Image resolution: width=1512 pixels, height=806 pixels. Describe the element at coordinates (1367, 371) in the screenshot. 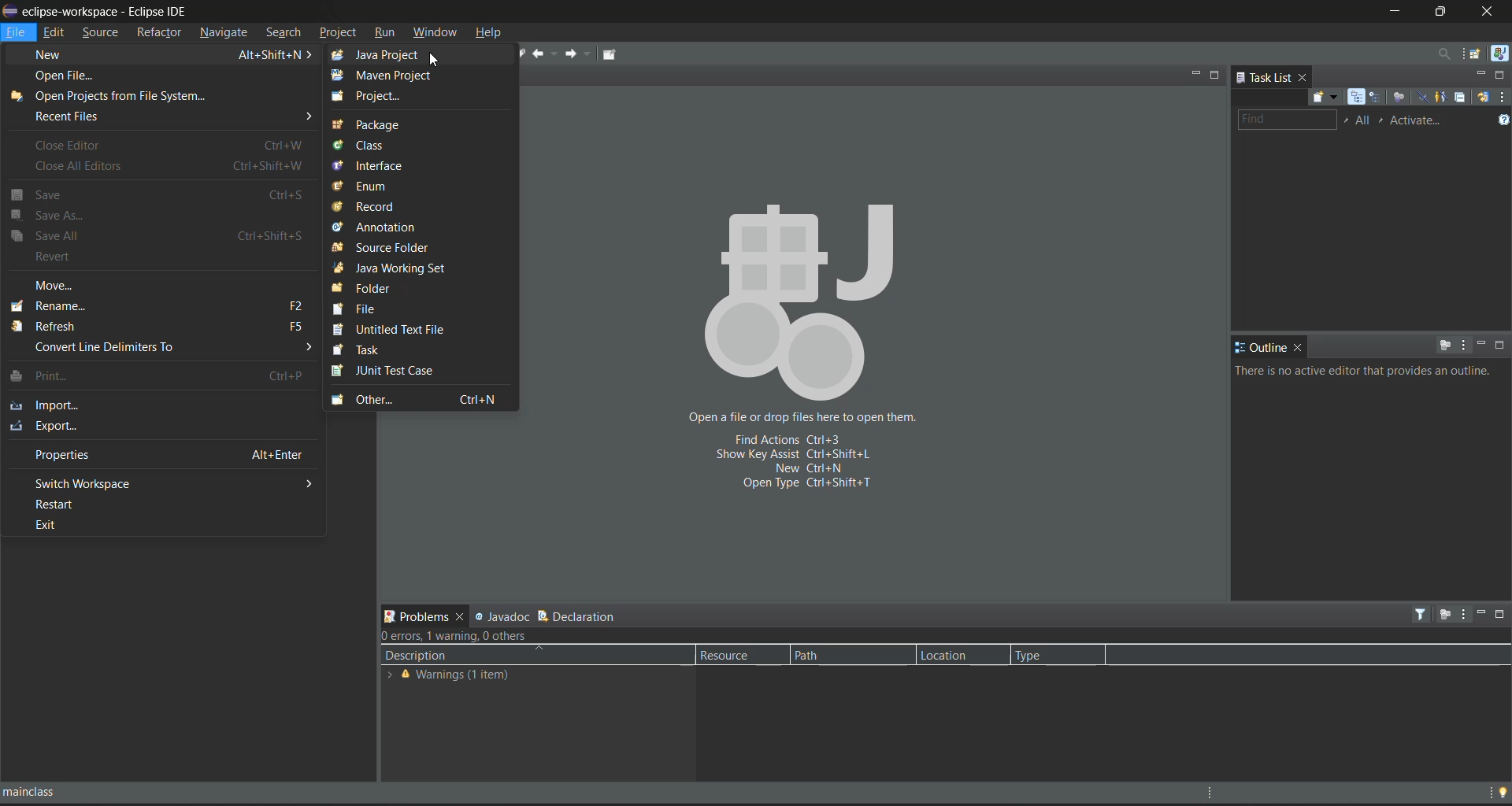

I see `info` at that location.